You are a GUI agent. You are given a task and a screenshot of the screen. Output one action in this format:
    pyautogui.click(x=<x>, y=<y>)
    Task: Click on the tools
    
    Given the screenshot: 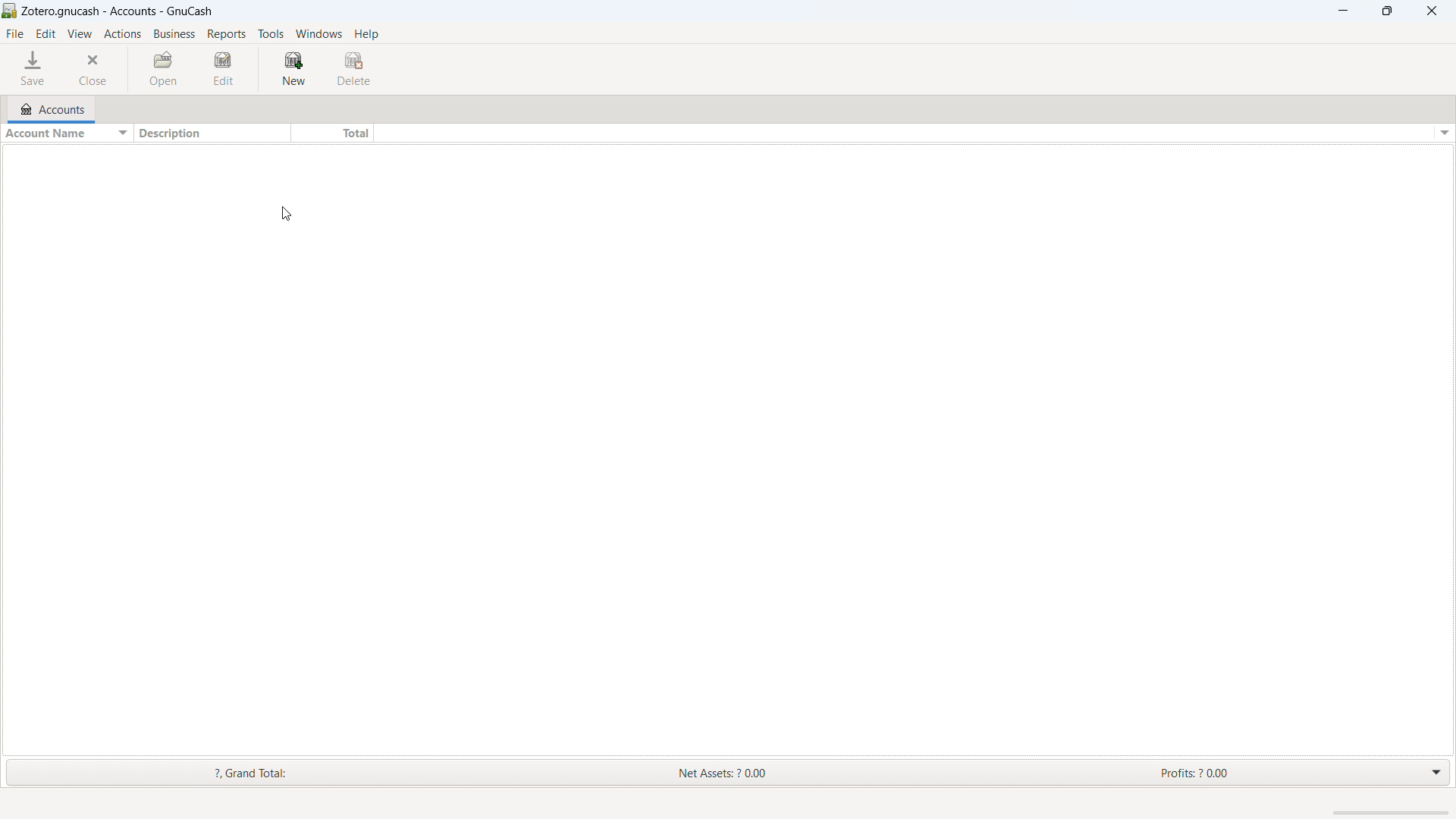 What is the action you would take?
    pyautogui.click(x=271, y=33)
    